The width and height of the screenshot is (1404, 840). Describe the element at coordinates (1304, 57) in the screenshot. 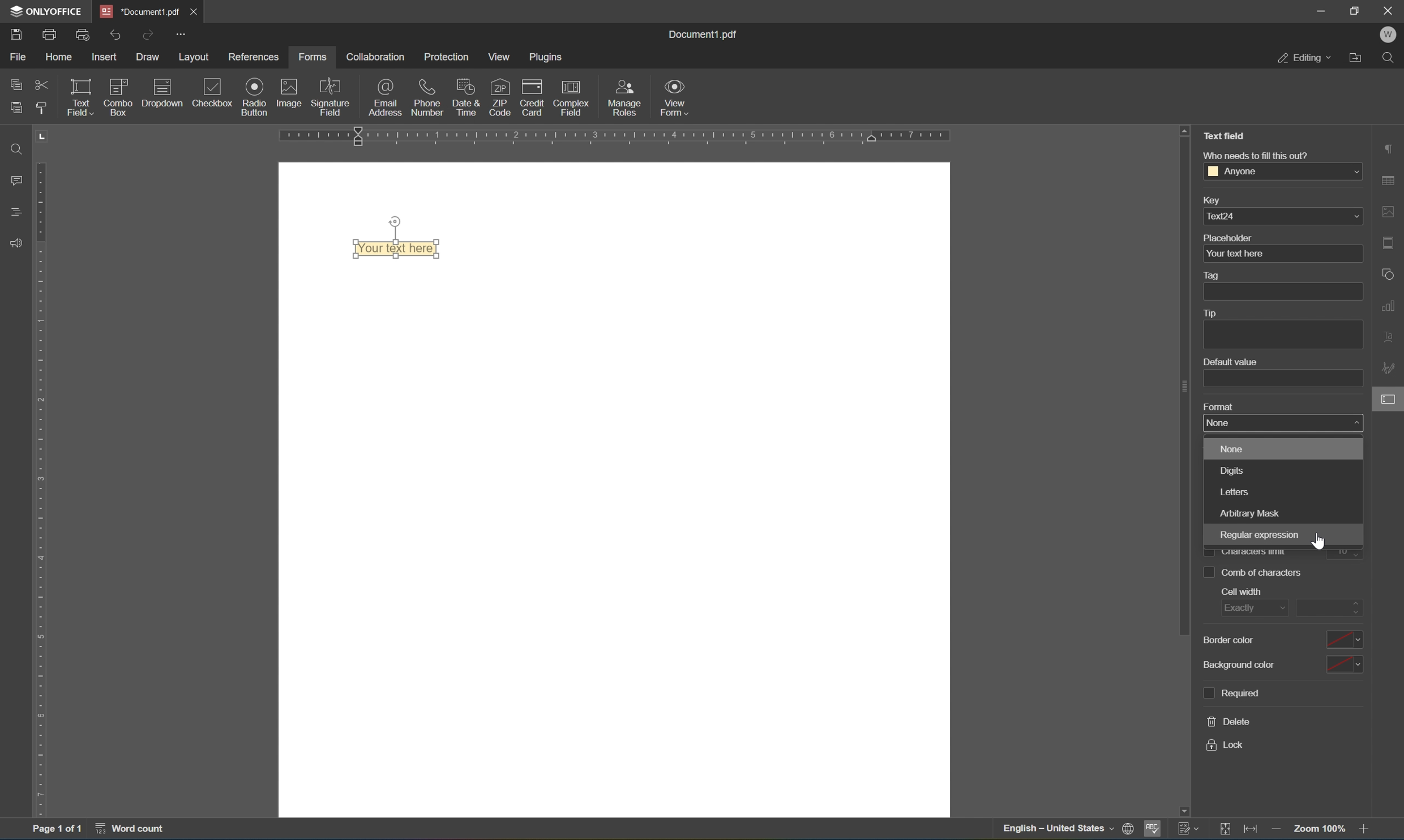

I see `editing` at that location.